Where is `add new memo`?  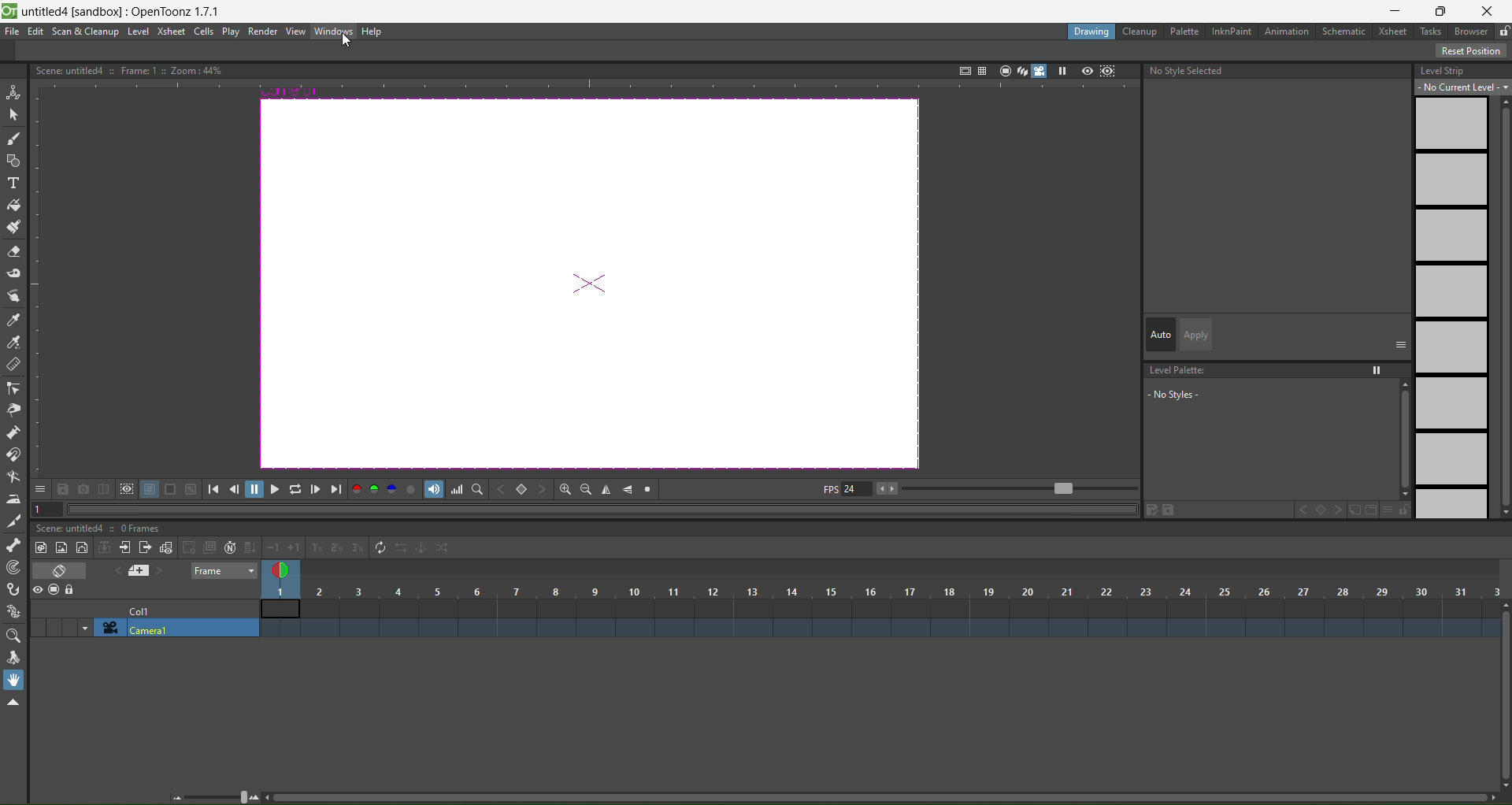 add new memo is located at coordinates (140, 572).